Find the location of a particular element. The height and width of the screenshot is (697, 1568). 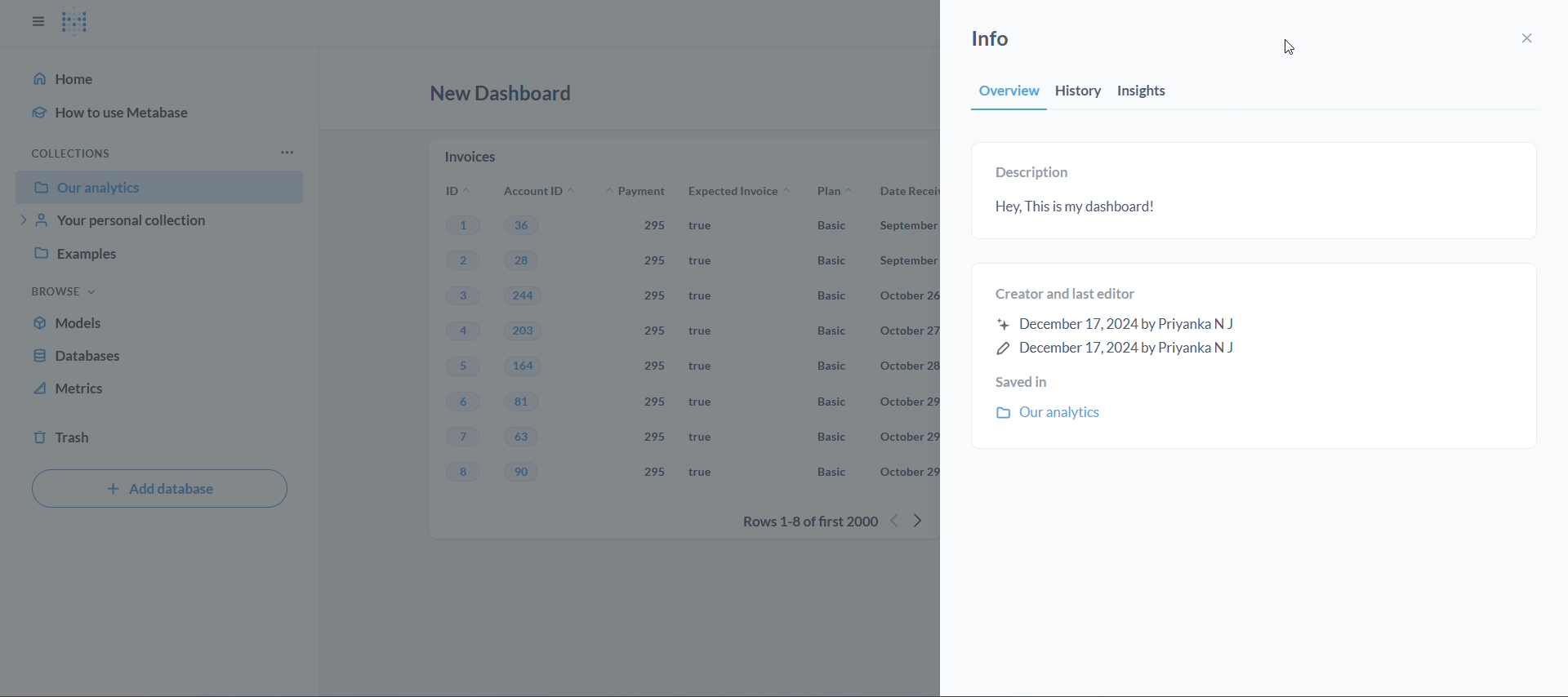

81 is located at coordinates (523, 402).